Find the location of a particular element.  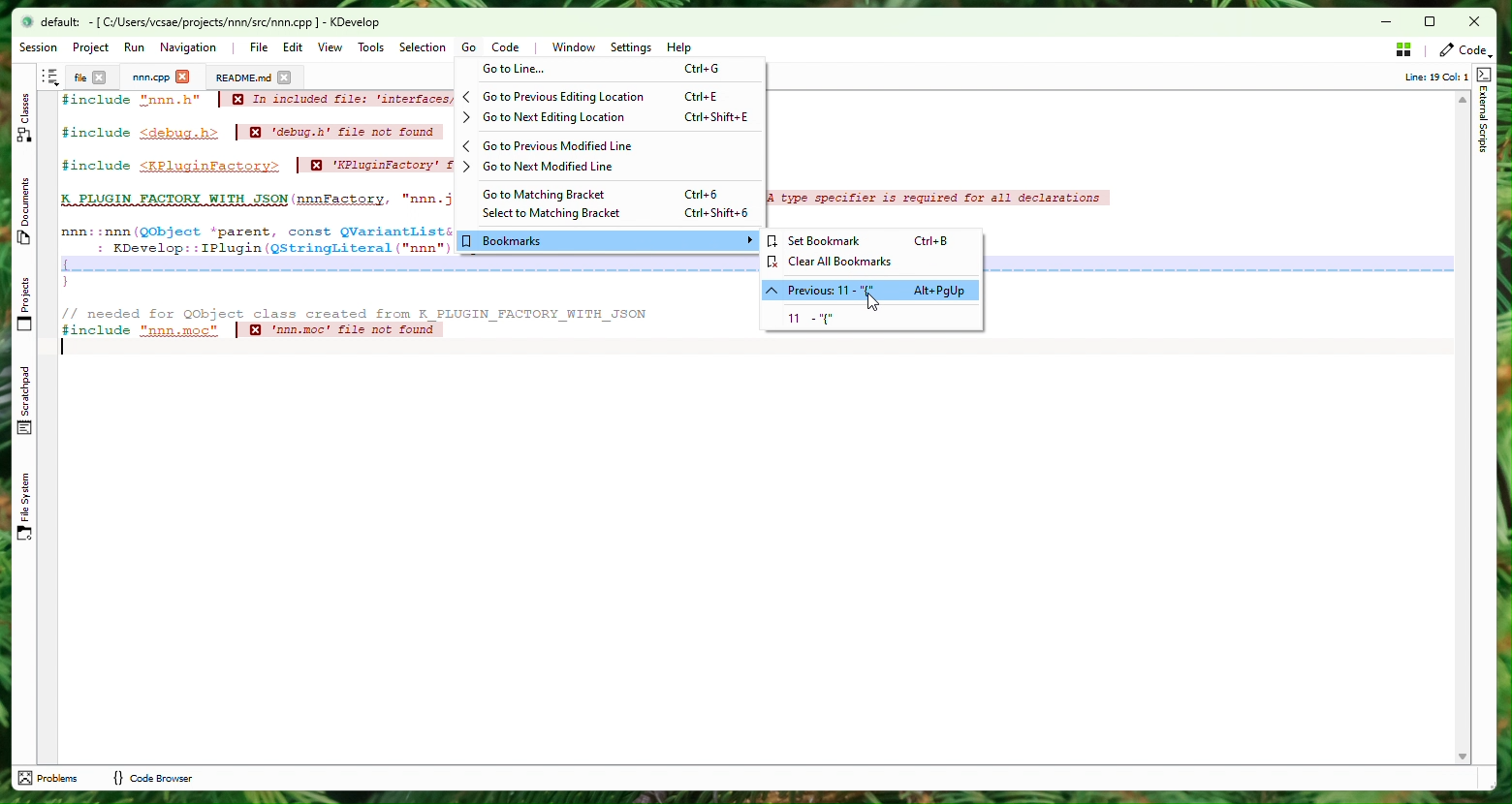

problems is located at coordinates (50, 778).